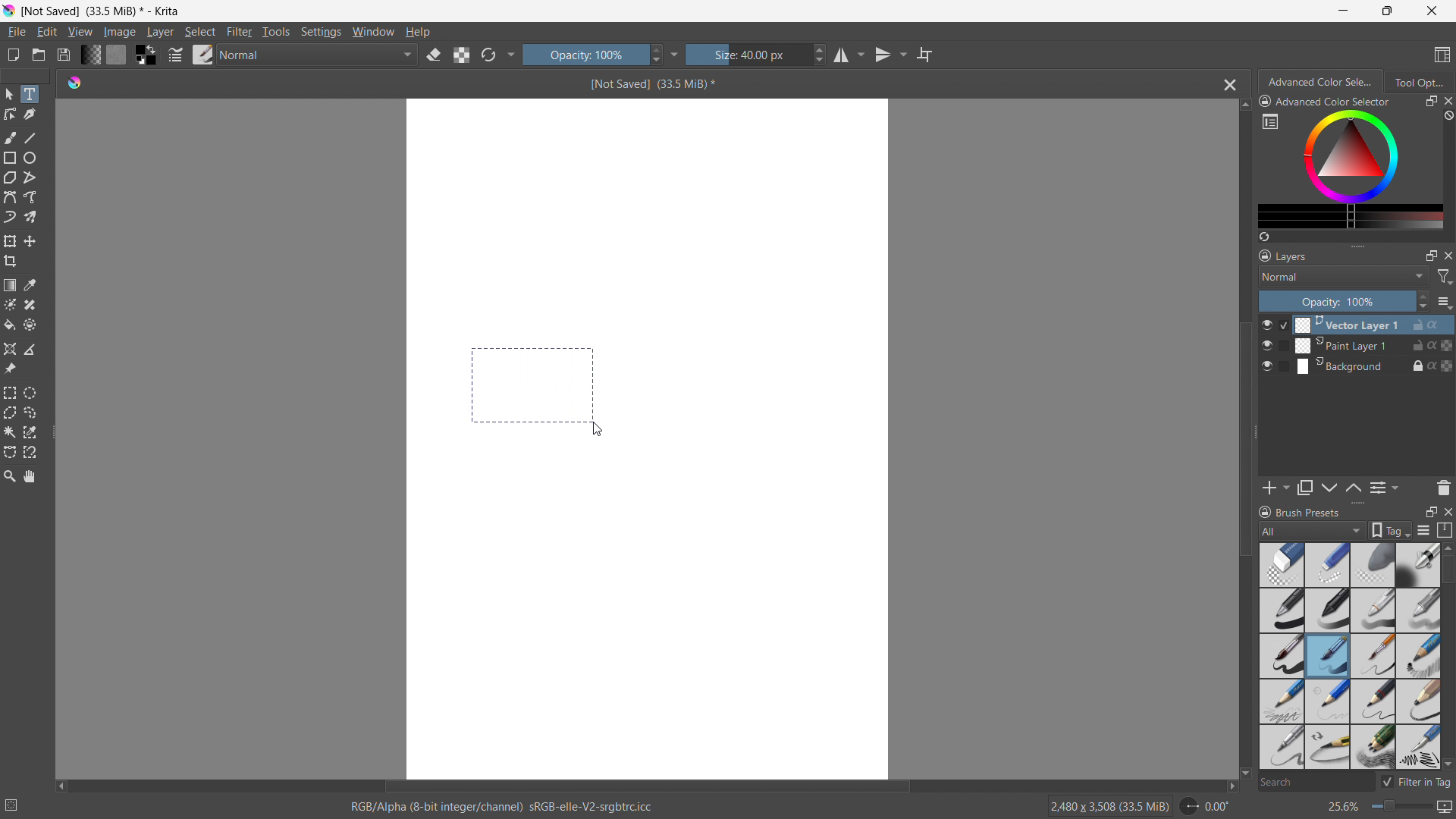  What do you see at coordinates (1344, 10) in the screenshot?
I see `minimize` at bounding box center [1344, 10].